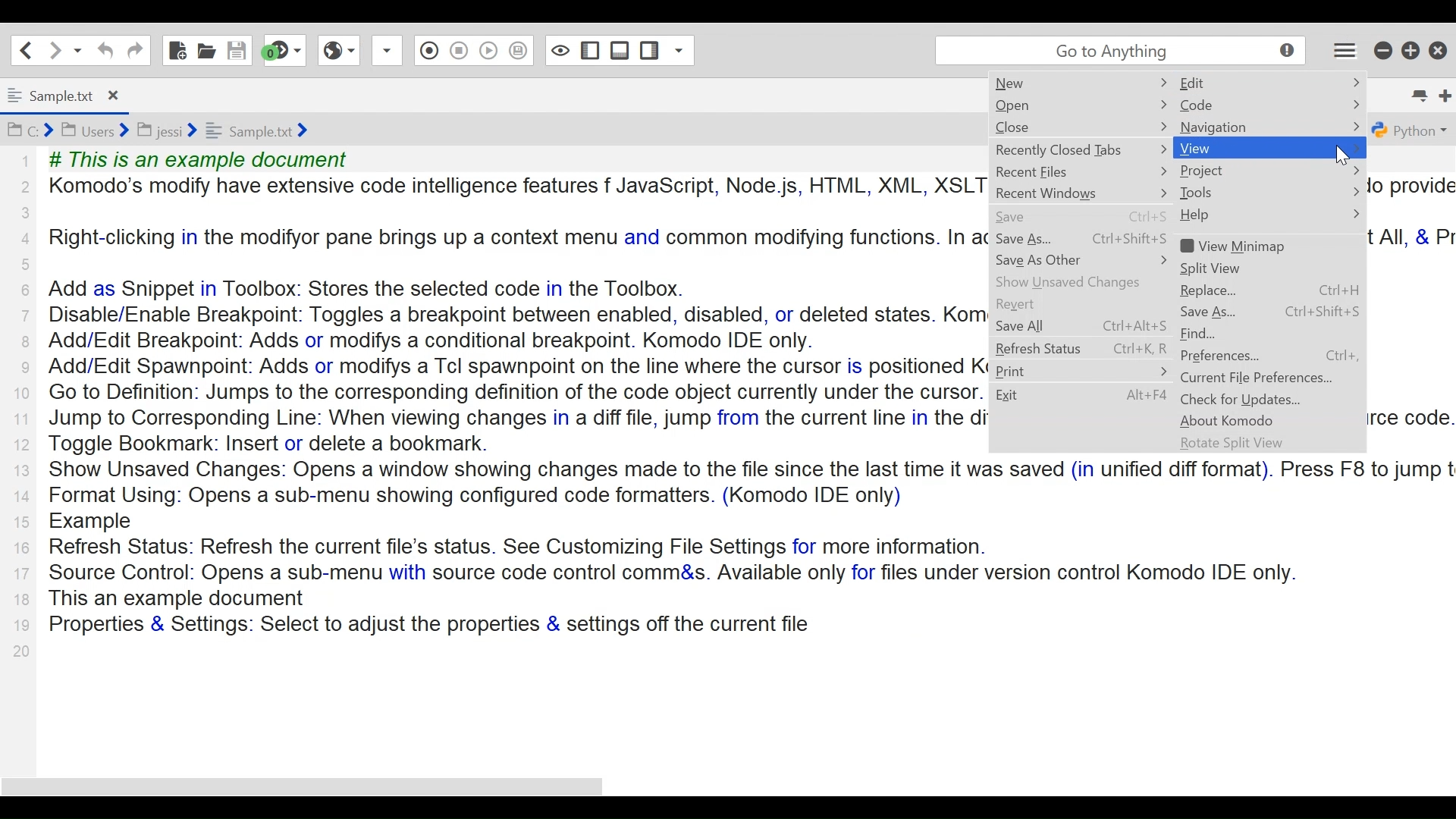 The height and width of the screenshot is (819, 1456). Describe the element at coordinates (134, 50) in the screenshot. I see `Redo` at that location.